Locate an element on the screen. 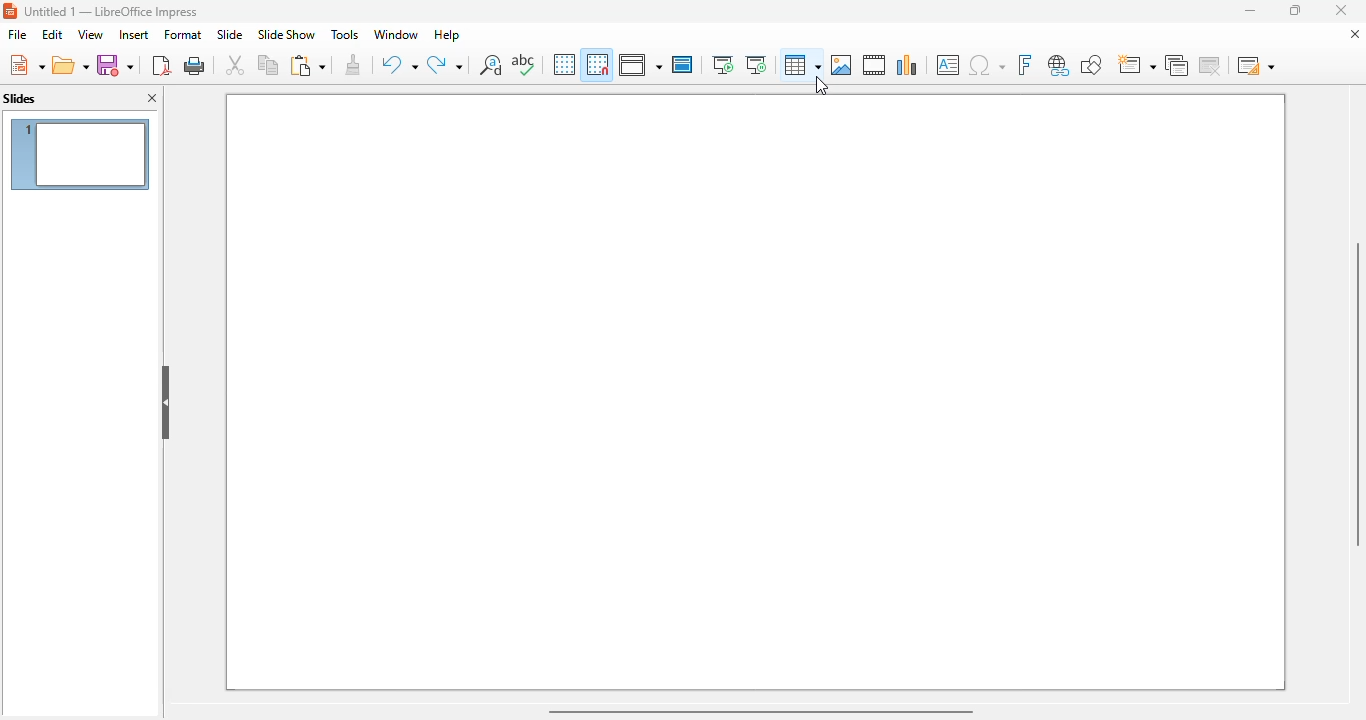 Image resolution: width=1366 pixels, height=720 pixels. slide layout is located at coordinates (1257, 65).